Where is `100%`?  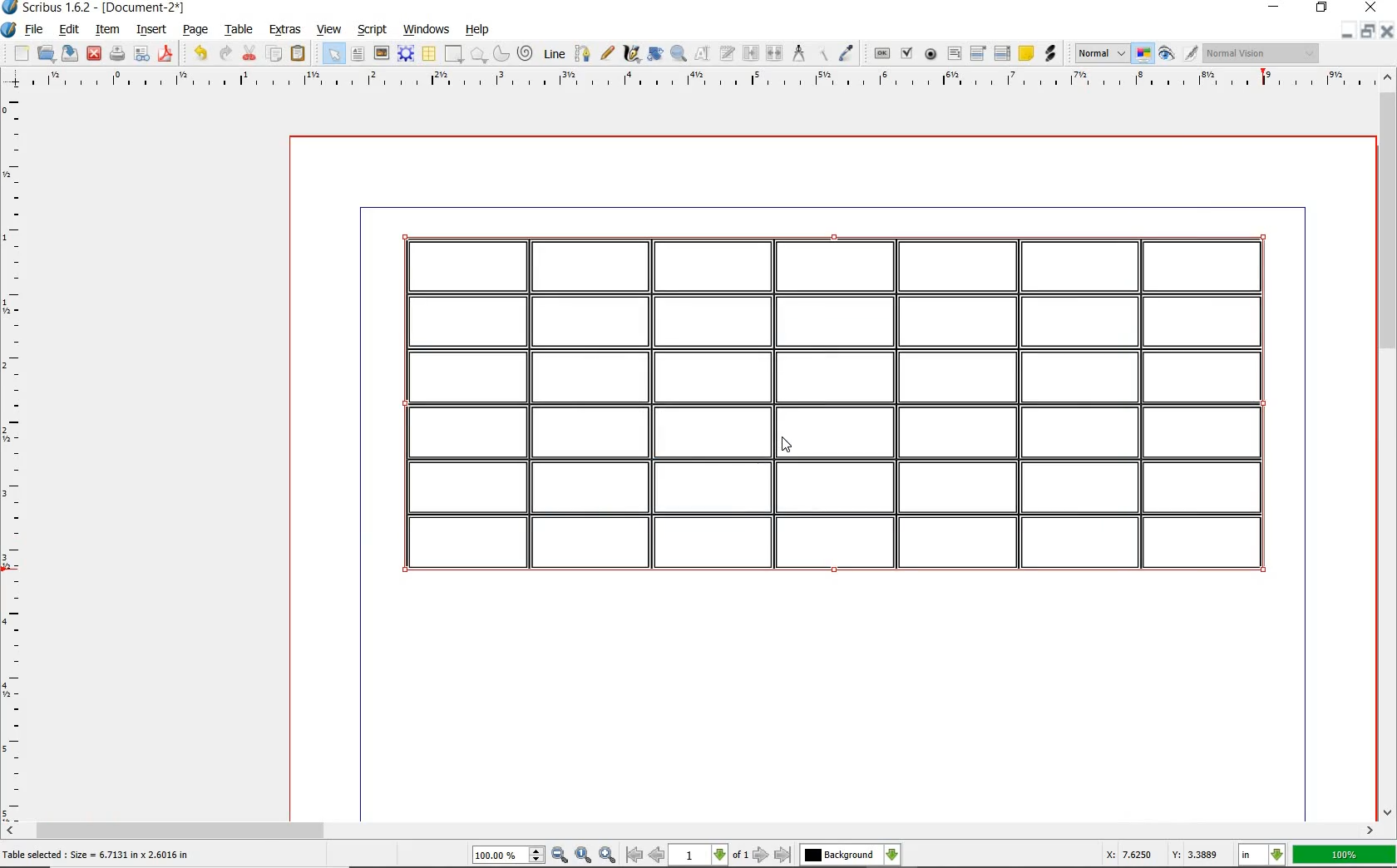
100% is located at coordinates (1345, 853).